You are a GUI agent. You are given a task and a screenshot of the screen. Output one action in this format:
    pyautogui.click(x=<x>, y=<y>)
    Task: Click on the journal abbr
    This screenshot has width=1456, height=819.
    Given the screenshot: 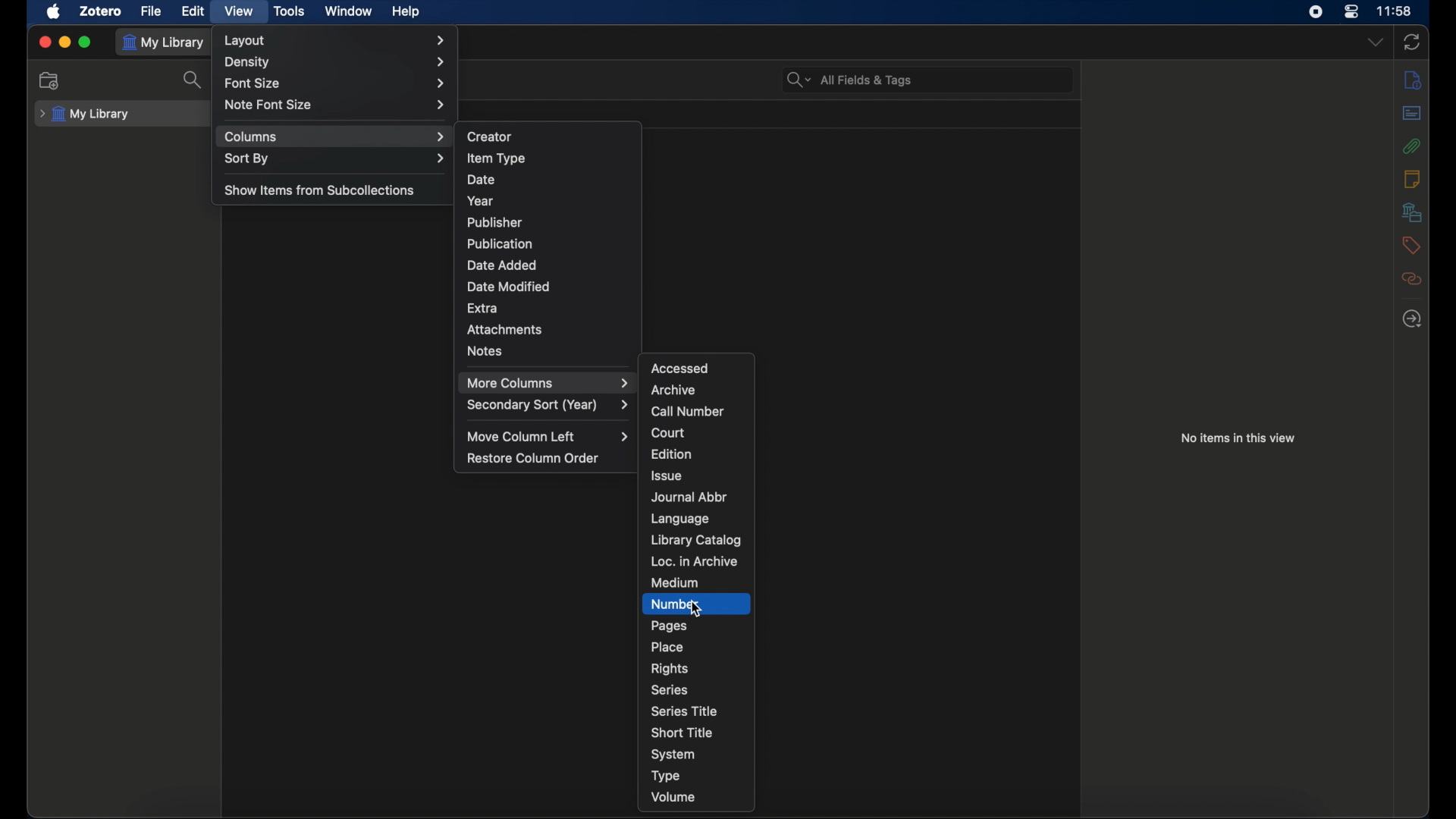 What is the action you would take?
    pyautogui.click(x=689, y=497)
    